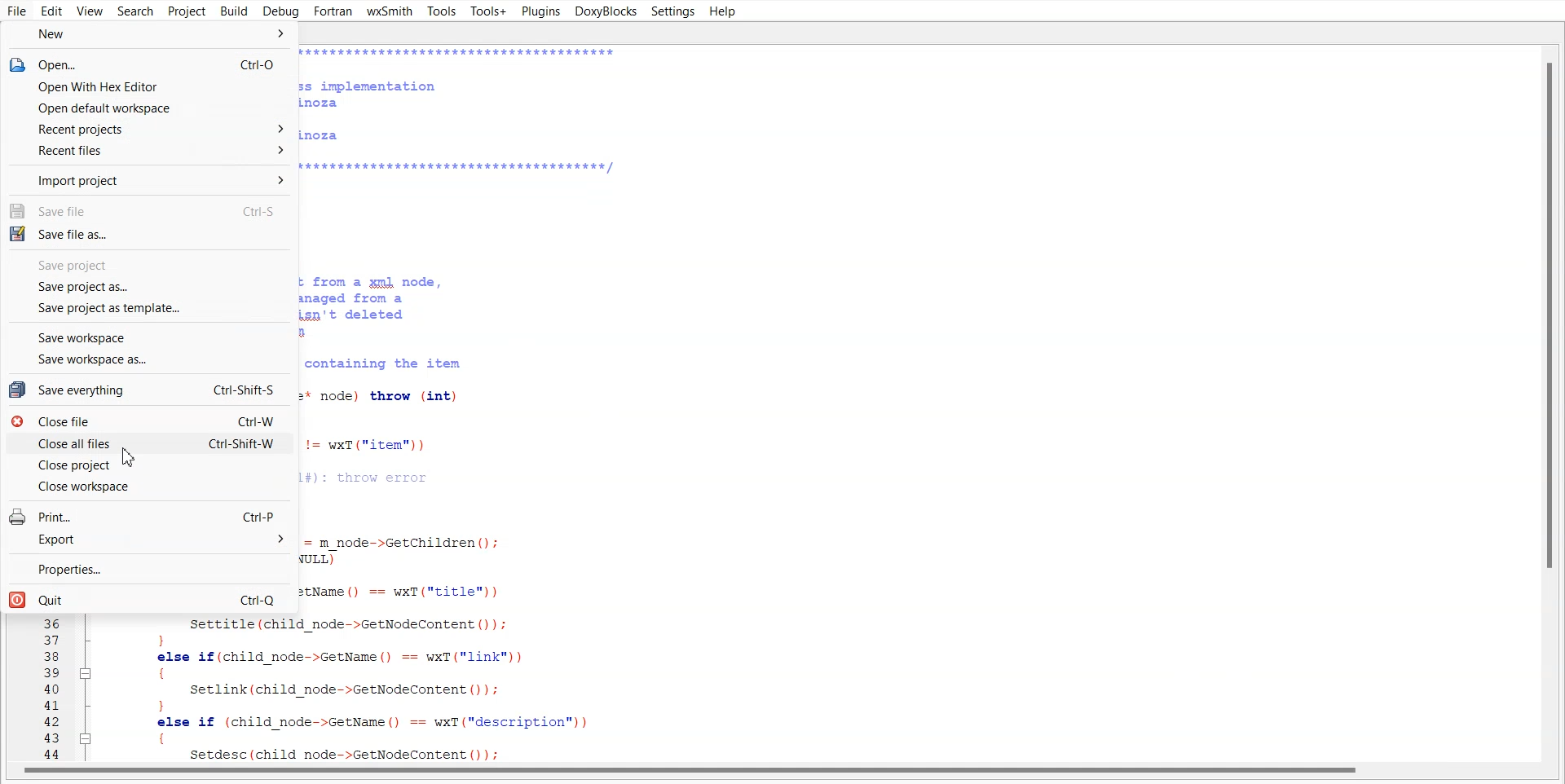 Image resolution: width=1565 pixels, height=784 pixels. Describe the element at coordinates (782, 774) in the screenshot. I see `Horizontal scroll bar` at that location.